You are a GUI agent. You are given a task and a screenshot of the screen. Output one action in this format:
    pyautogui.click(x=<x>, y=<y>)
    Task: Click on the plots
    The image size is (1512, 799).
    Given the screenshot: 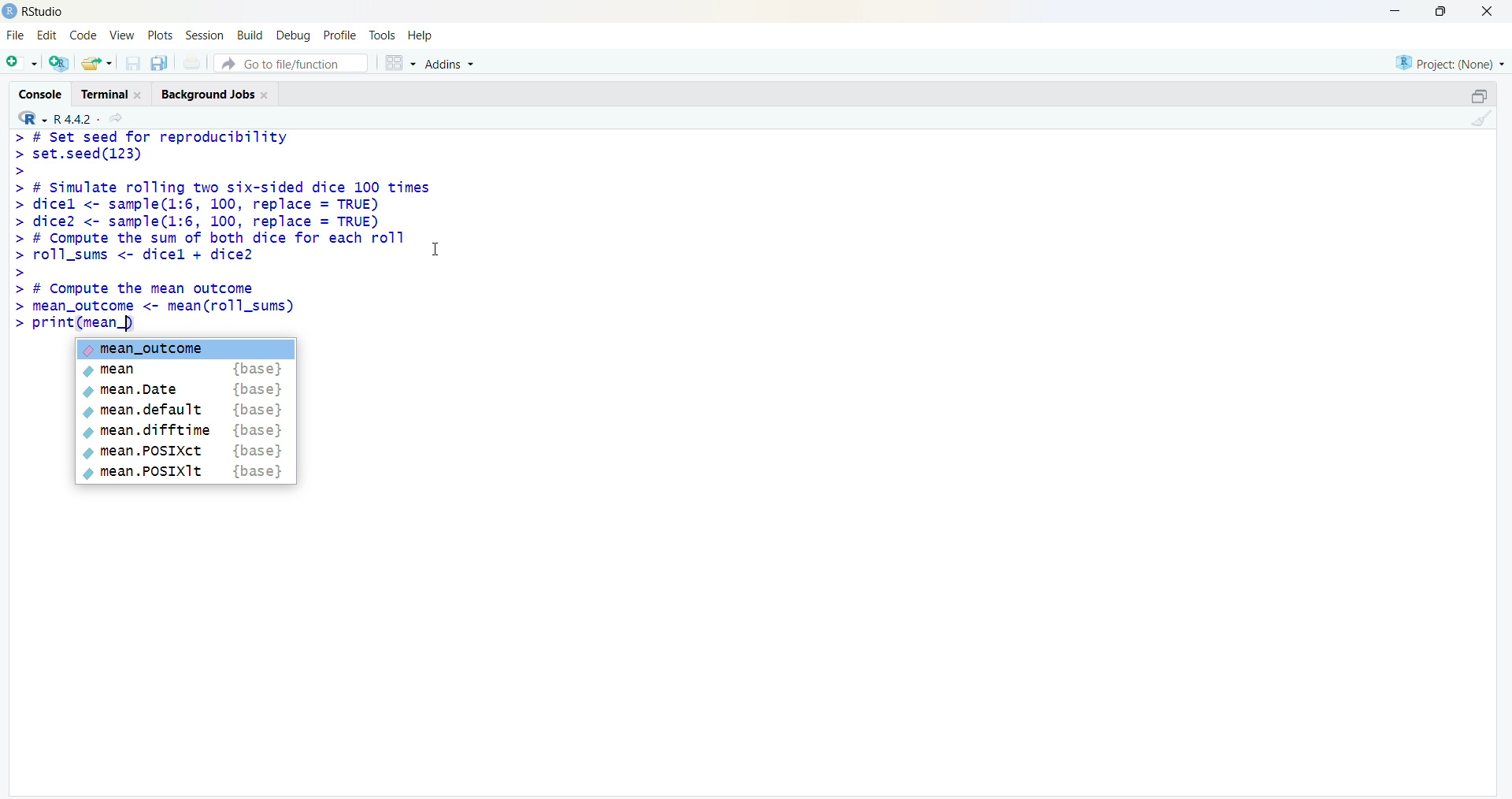 What is the action you would take?
    pyautogui.click(x=161, y=34)
    